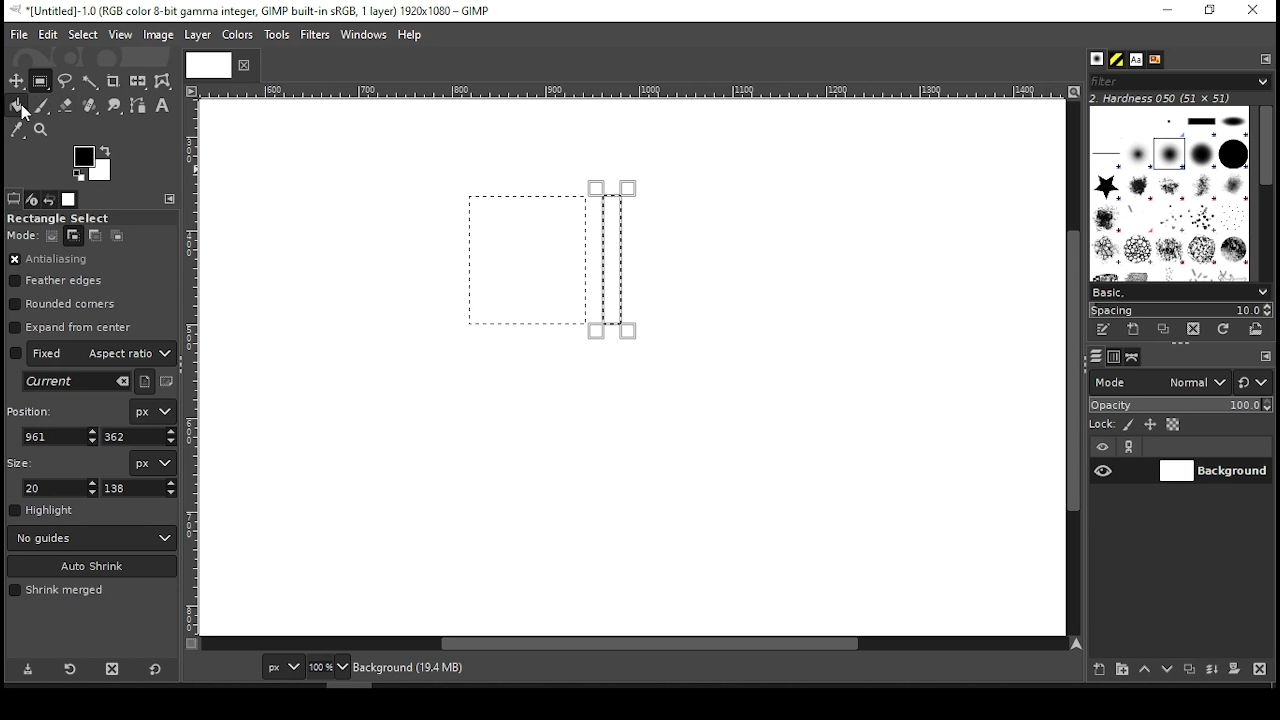 The height and width of the screenshot is (720, 1280). Describe the element at coordinates (1172, 425) in the screenshot. I see `lock alpha channel` at that location.